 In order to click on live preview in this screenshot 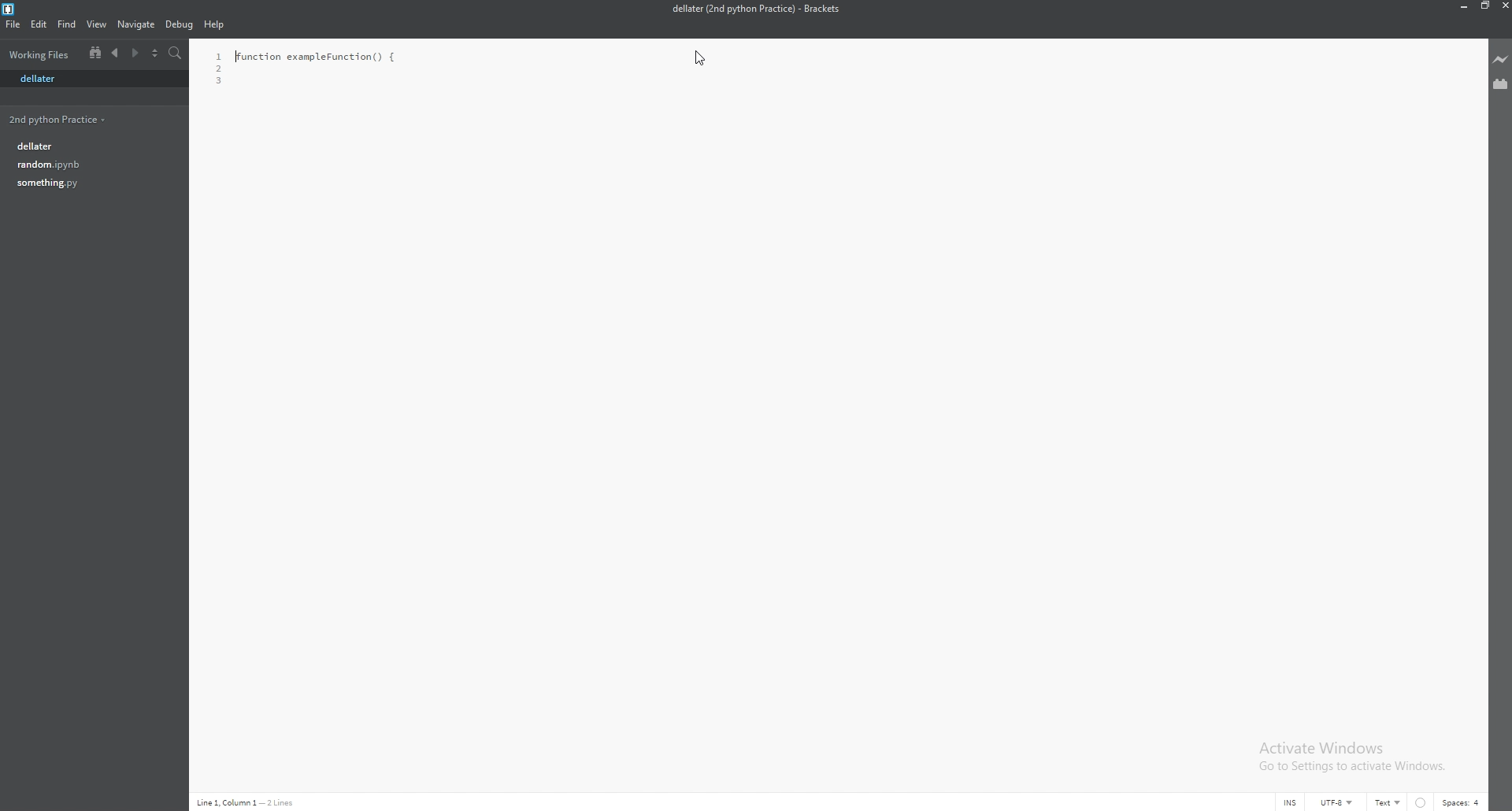, I will do `click(1499, 60)`.